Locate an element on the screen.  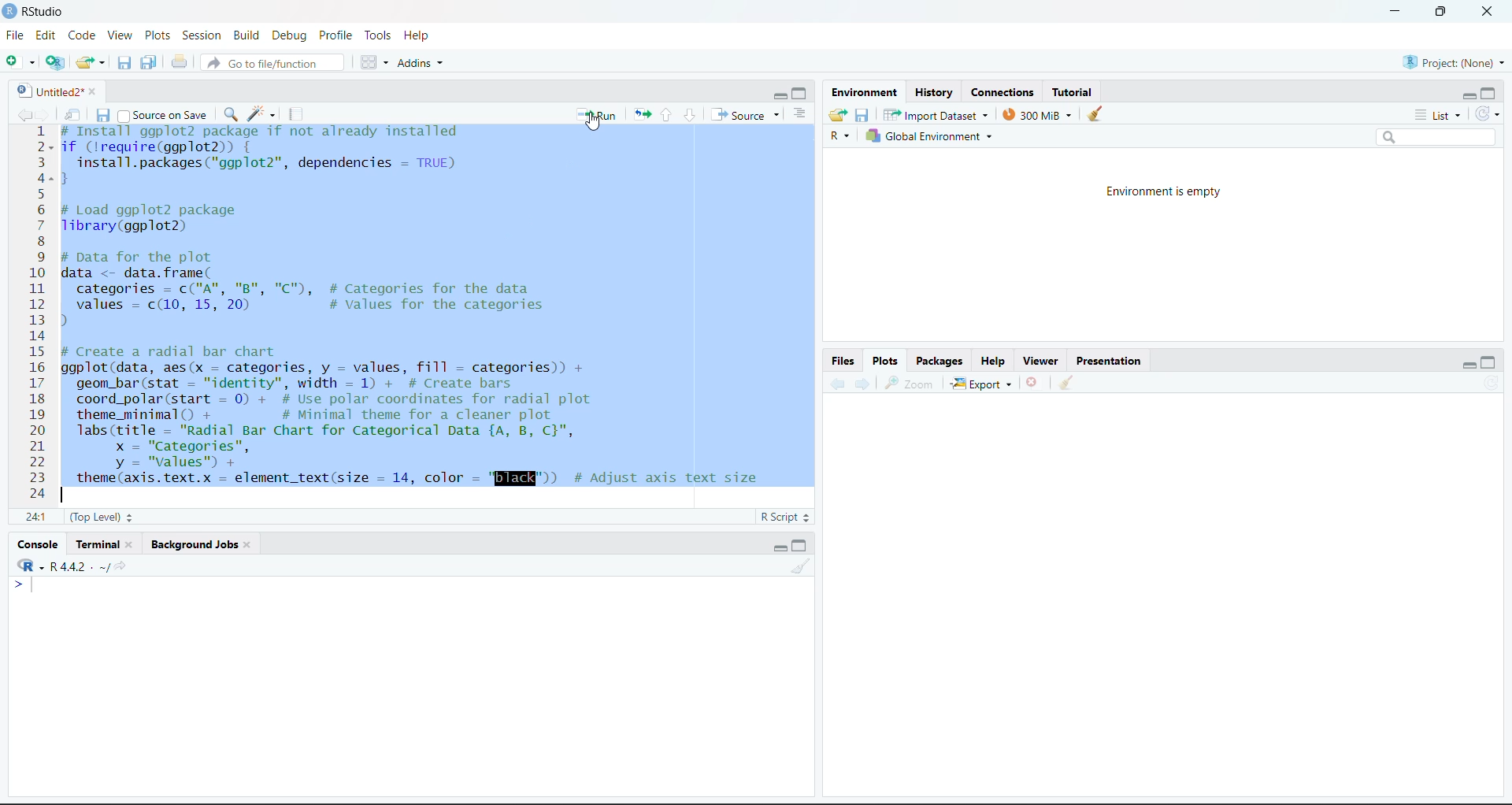
History is located at coordinates (934, 93).